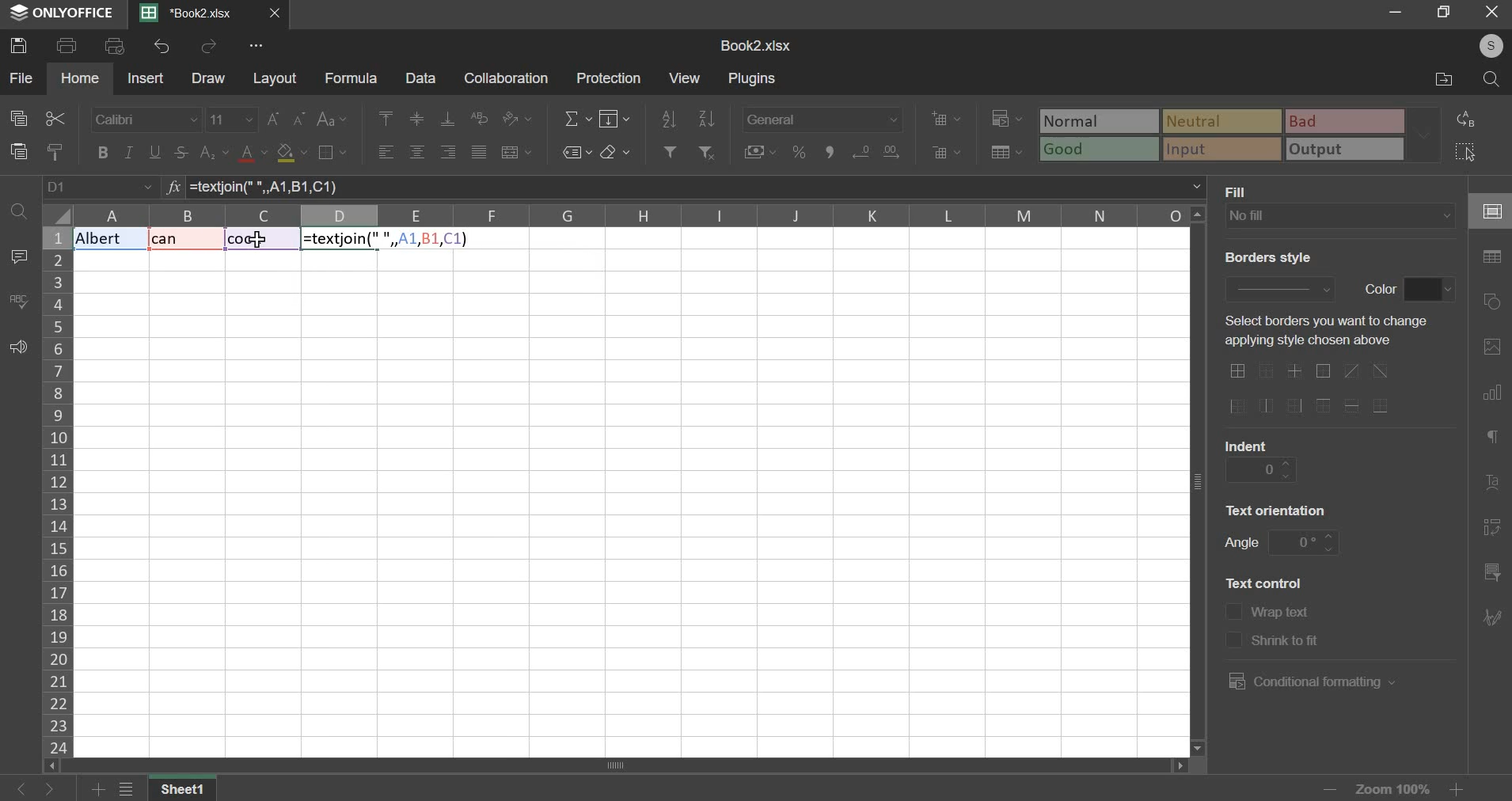 The width and height of the screenshot is (1512, 801). I want to click on go back, so click(20, 788).